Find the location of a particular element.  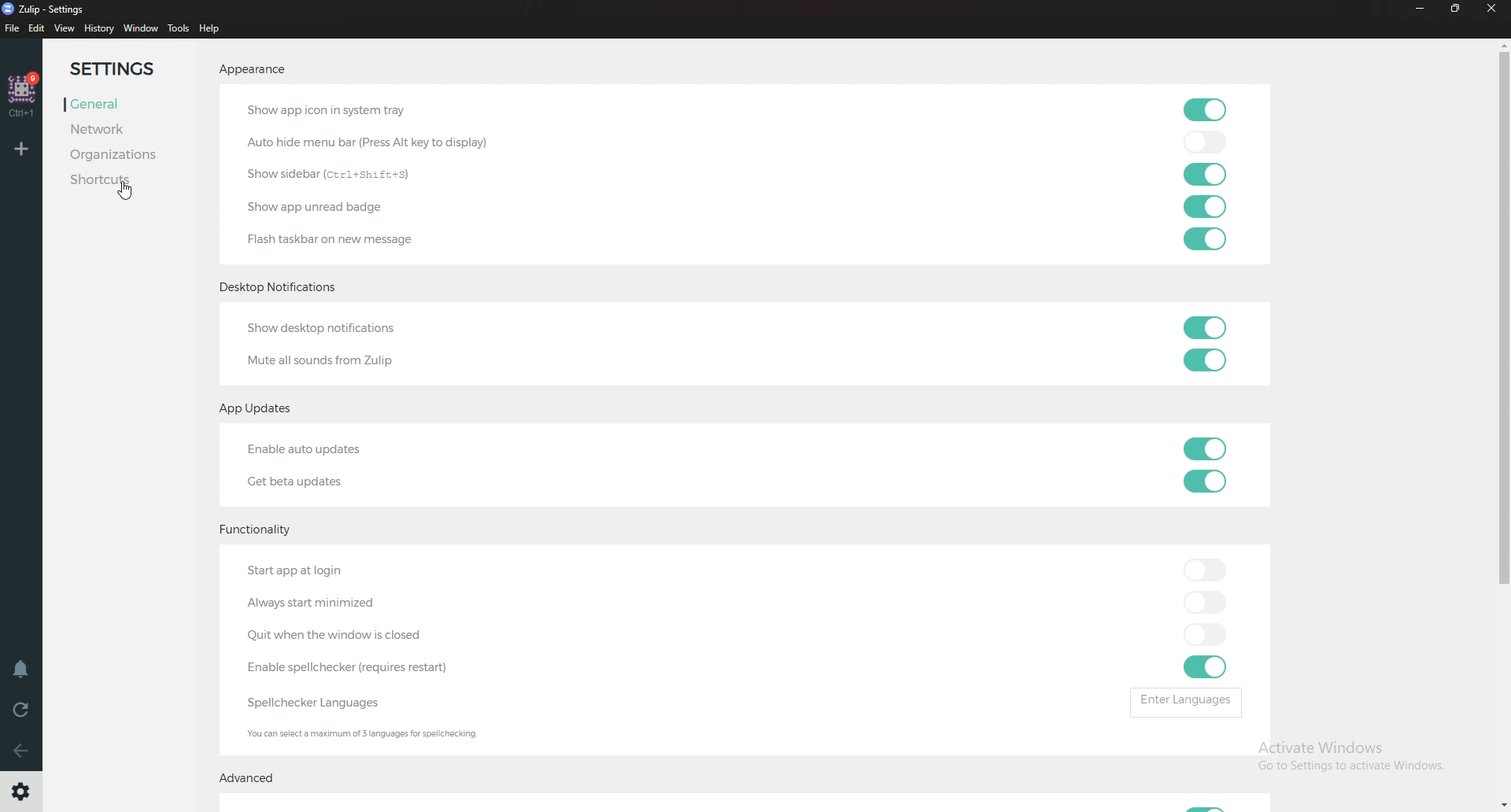

Quit when windows closed is located at coordinates (357, 636).